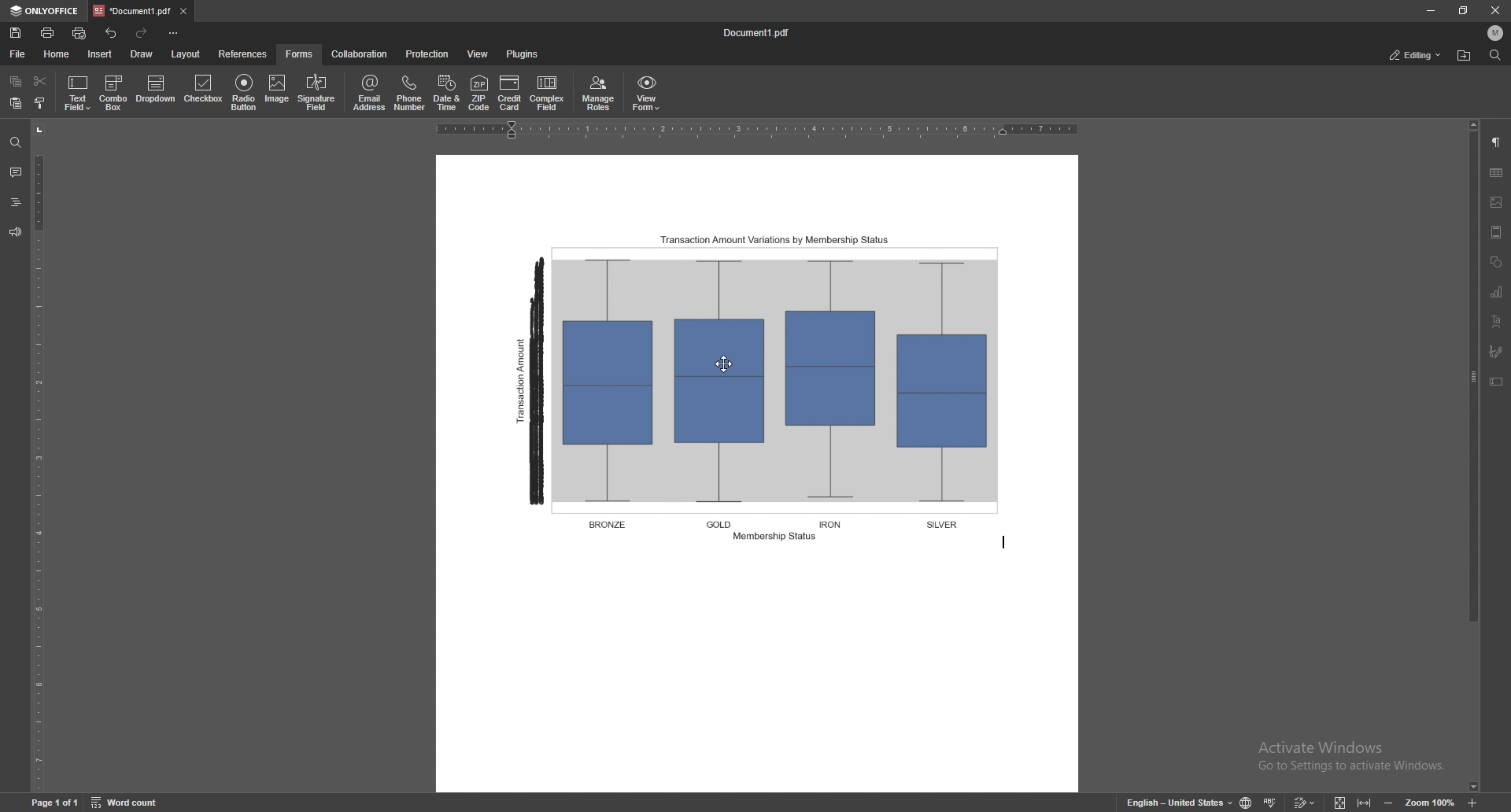 This screenshot has height=812, width=1511. What do you see at coordinates (243, 92) in the screenshot?
I see `radio button` at bounding box center [243, 92].